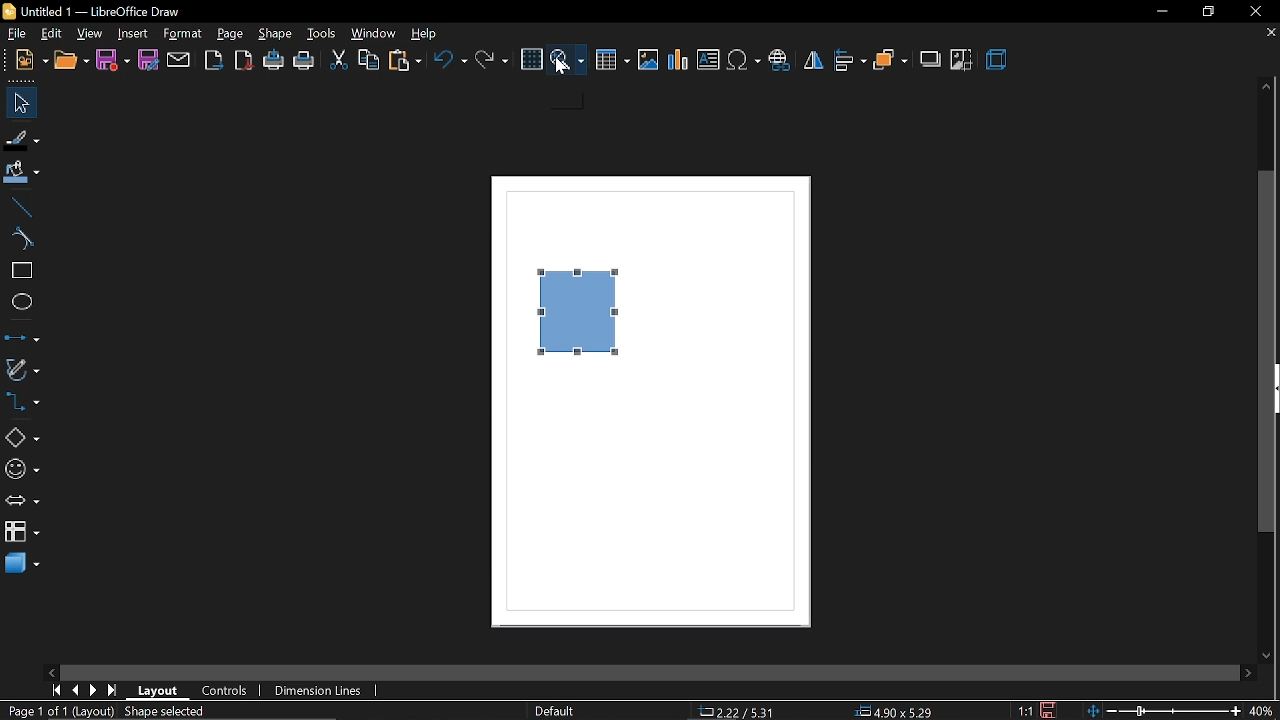 Image resolution: width=1280 pixels, height=720 pixels. What do you see at coordinates (159, 692) in the screenshot?
I see `layout` at bounding box center [159, 692].